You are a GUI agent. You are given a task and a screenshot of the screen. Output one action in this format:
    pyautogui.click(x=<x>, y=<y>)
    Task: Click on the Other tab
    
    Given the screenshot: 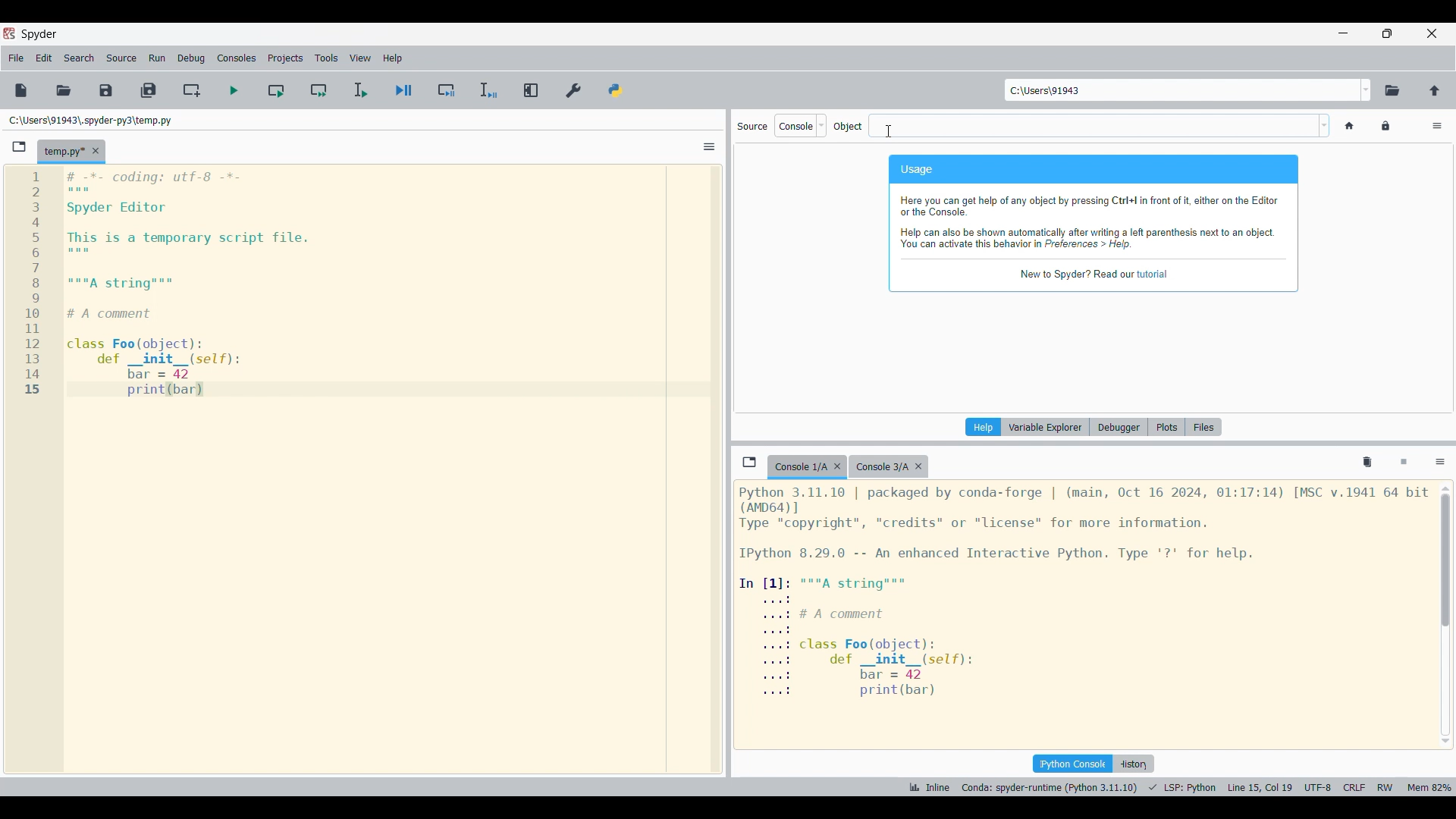 What is the action you would take?
    pyautogui.click(x=888, y=467)
    